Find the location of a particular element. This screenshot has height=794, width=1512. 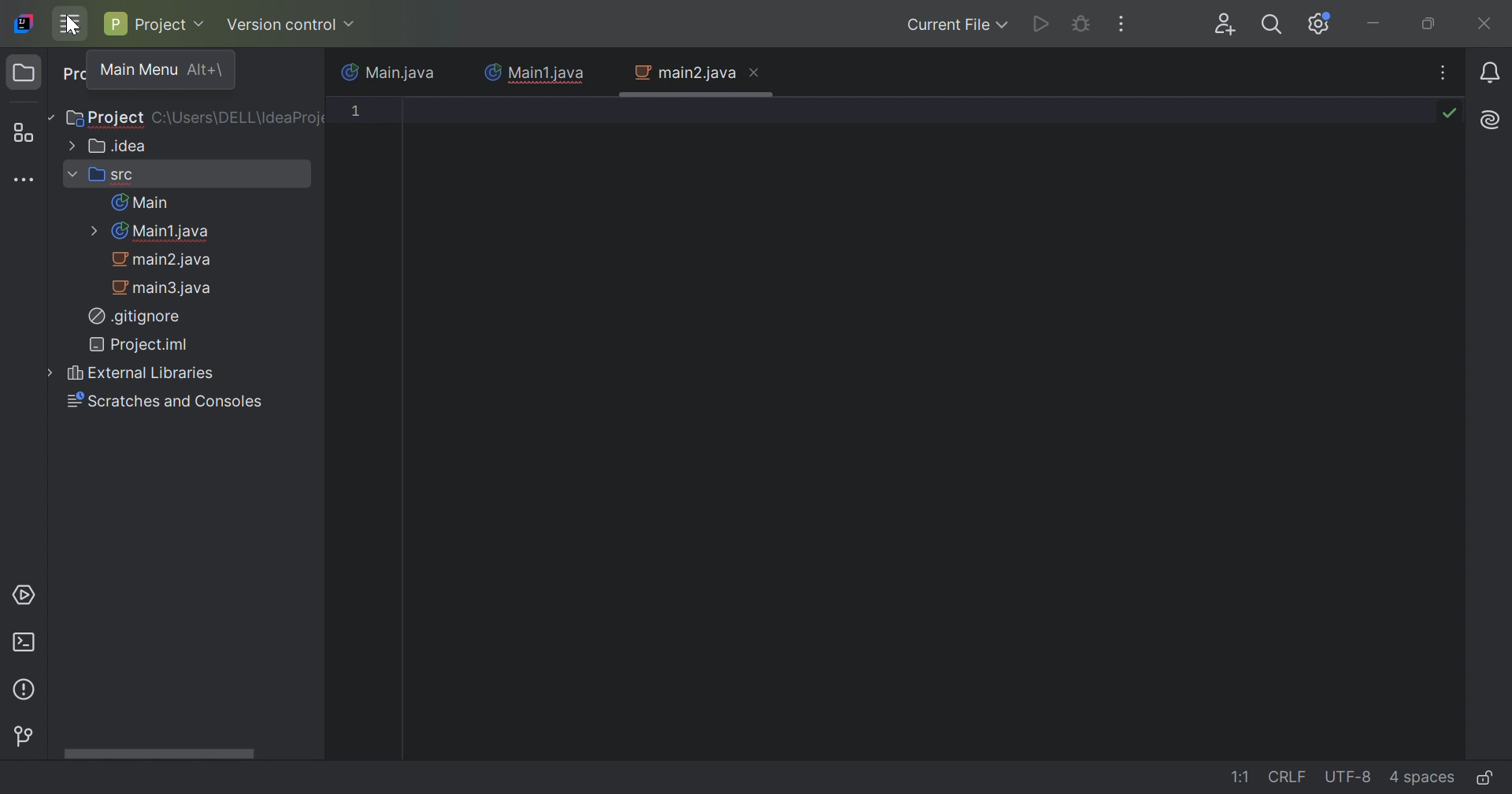

crlf is located at coordinates (1290, 777).